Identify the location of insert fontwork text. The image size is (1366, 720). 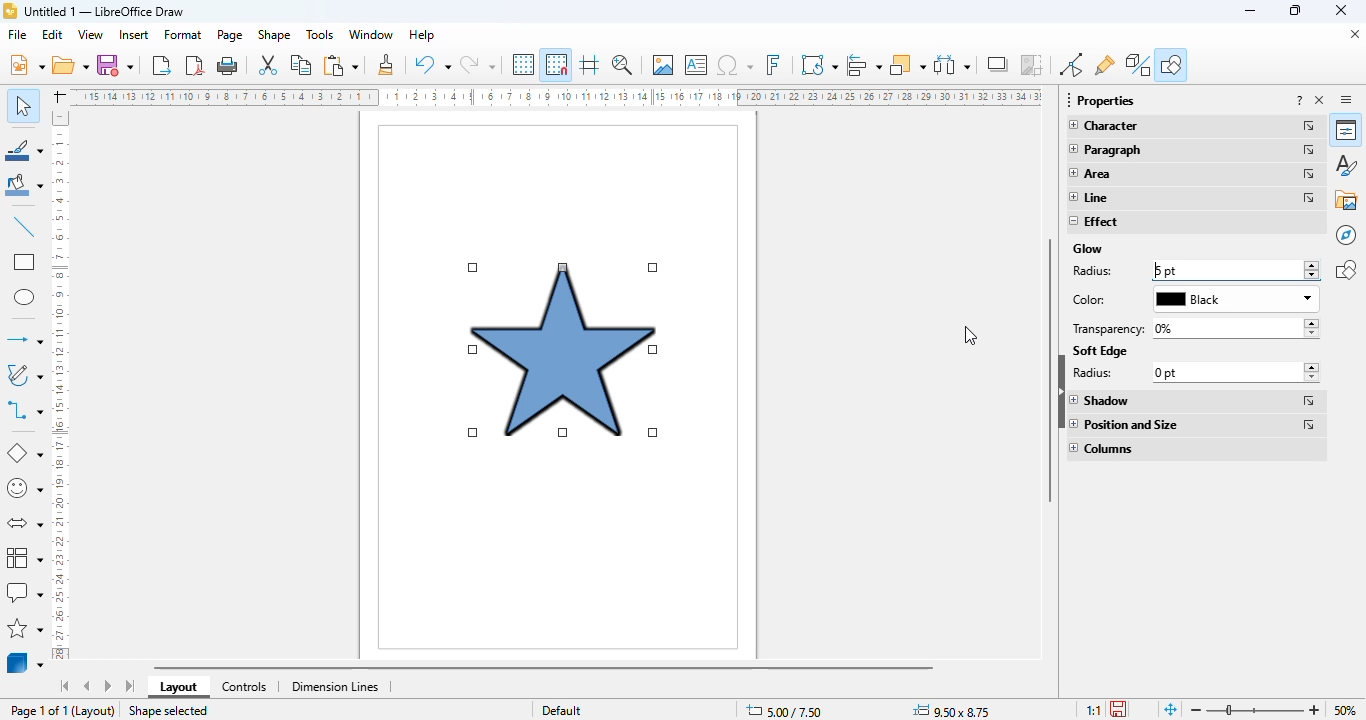
(773, 64).